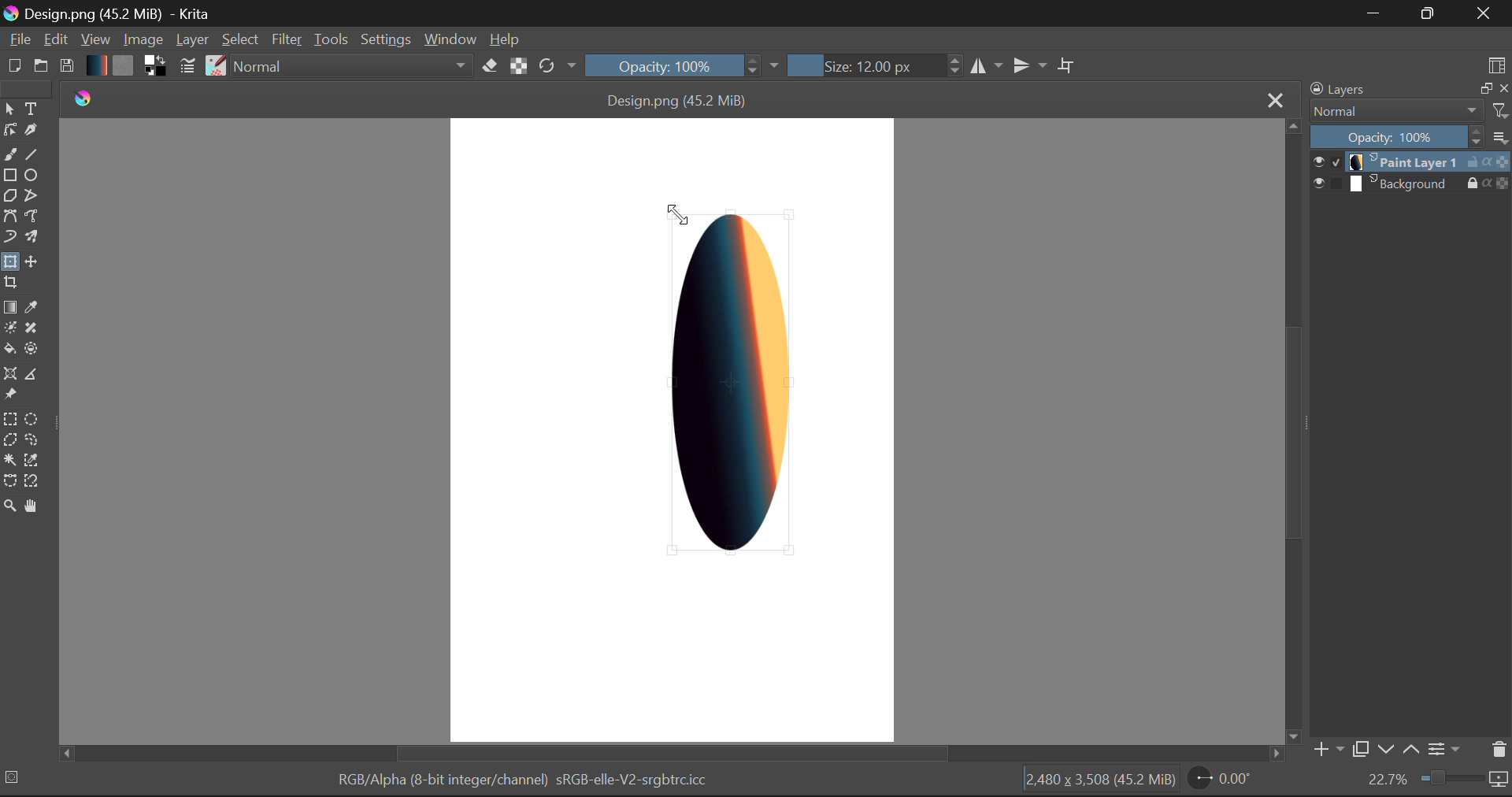  What do you see at coordinates (1273, 99) in the screenshot?
I see `Close` at bounding box center [1273, 99].